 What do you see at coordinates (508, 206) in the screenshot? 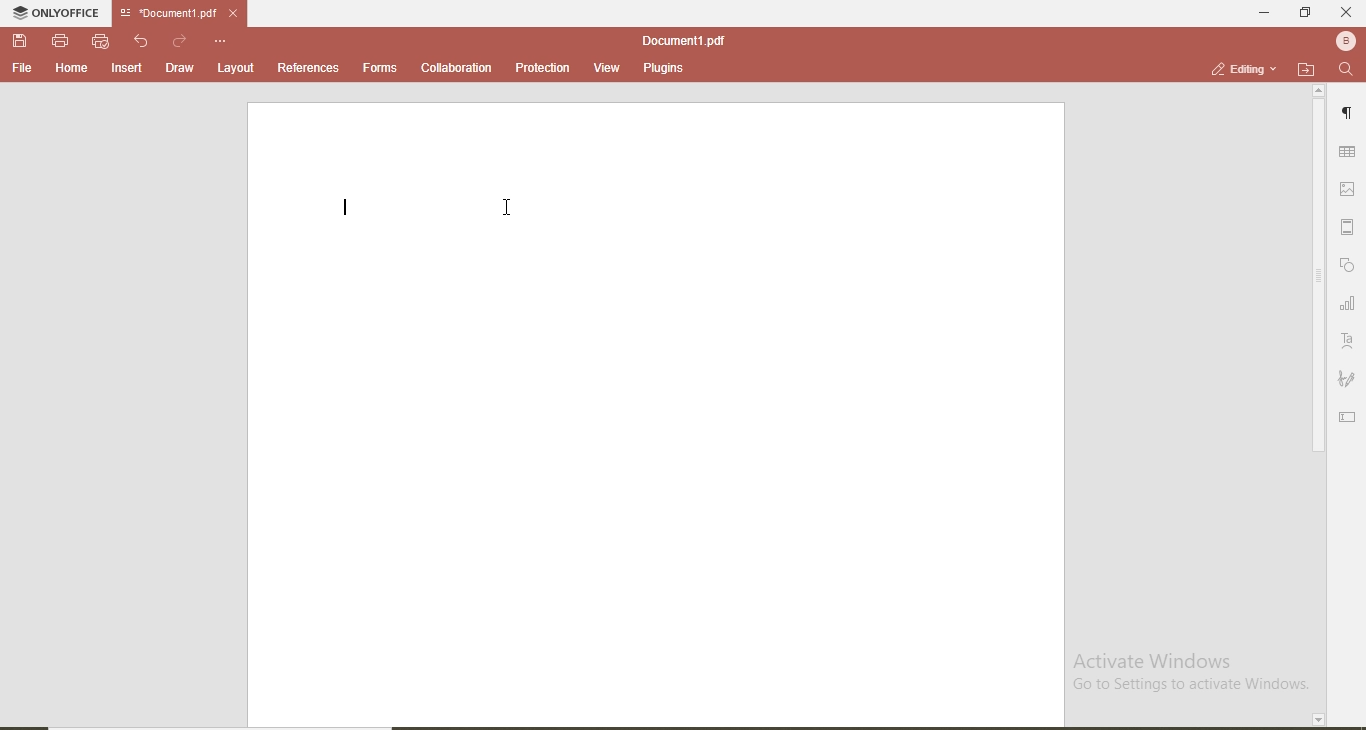
I see `cursor` at bounding box center [508, 206].